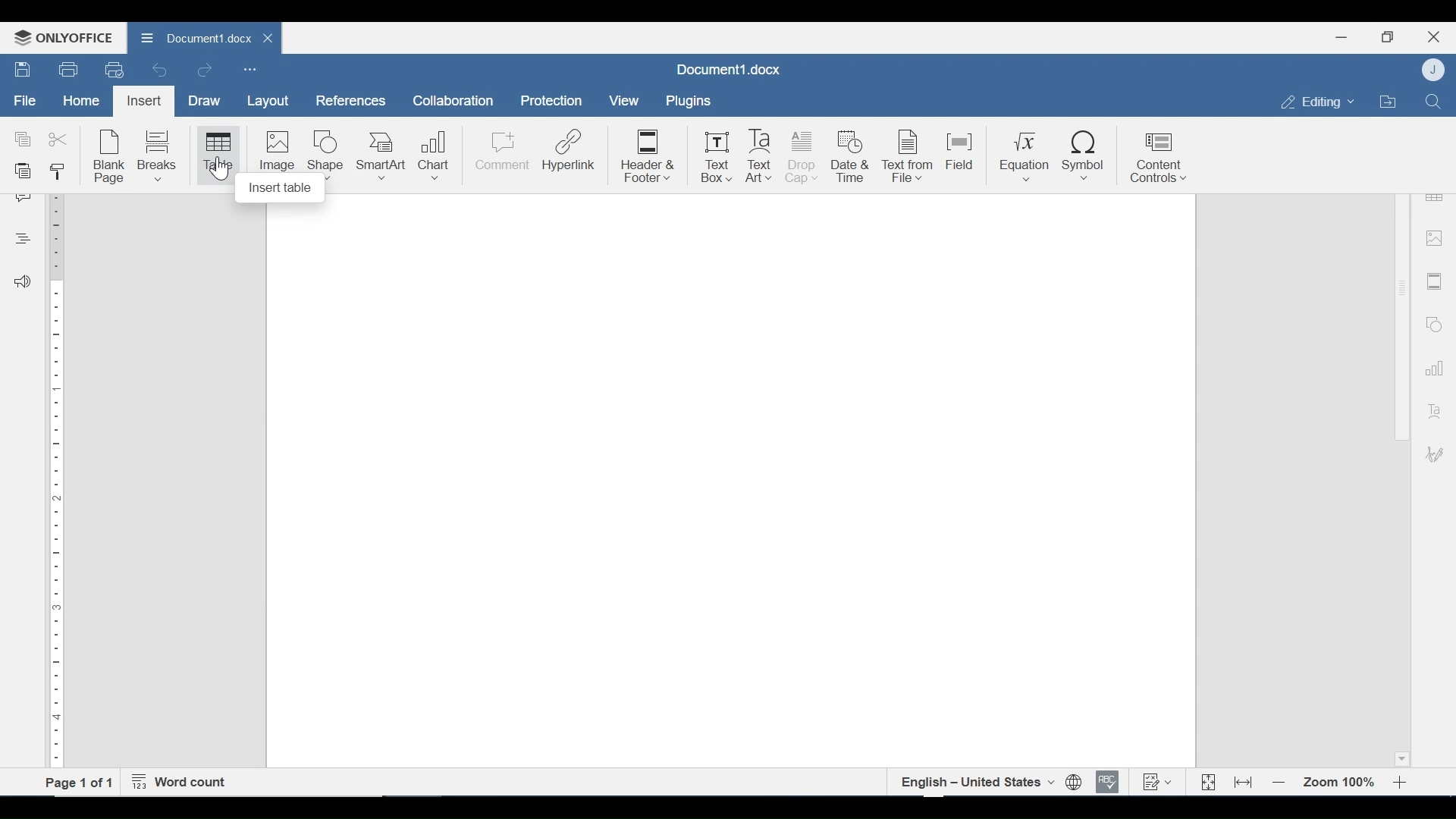 This screenshot has width=1456, height=819. What do you see at coordinates (852, 158) in the screenshot?
I see `Date & Time` at bounding box center [852, 158].